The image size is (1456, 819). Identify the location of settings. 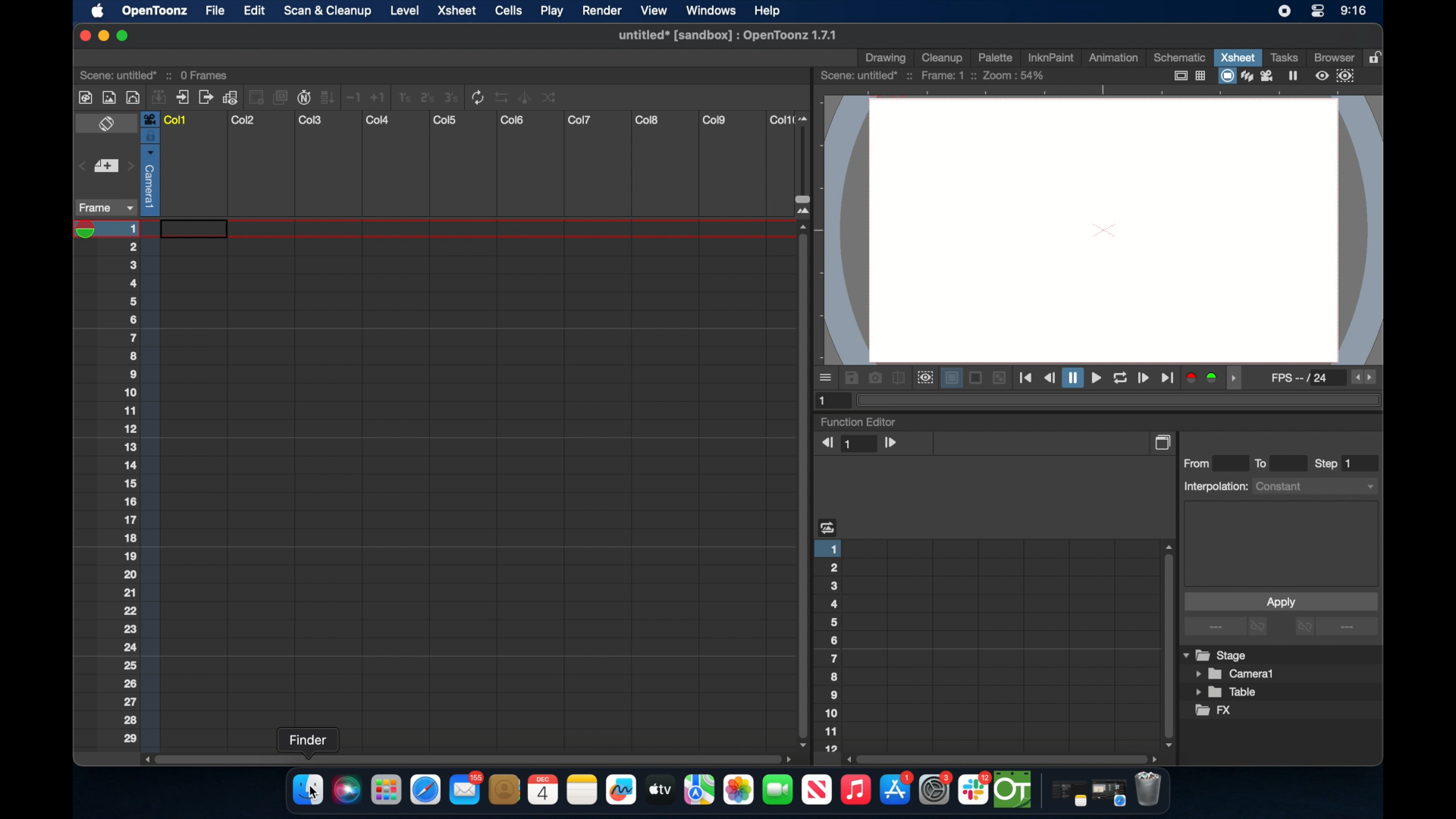
(937, 789).